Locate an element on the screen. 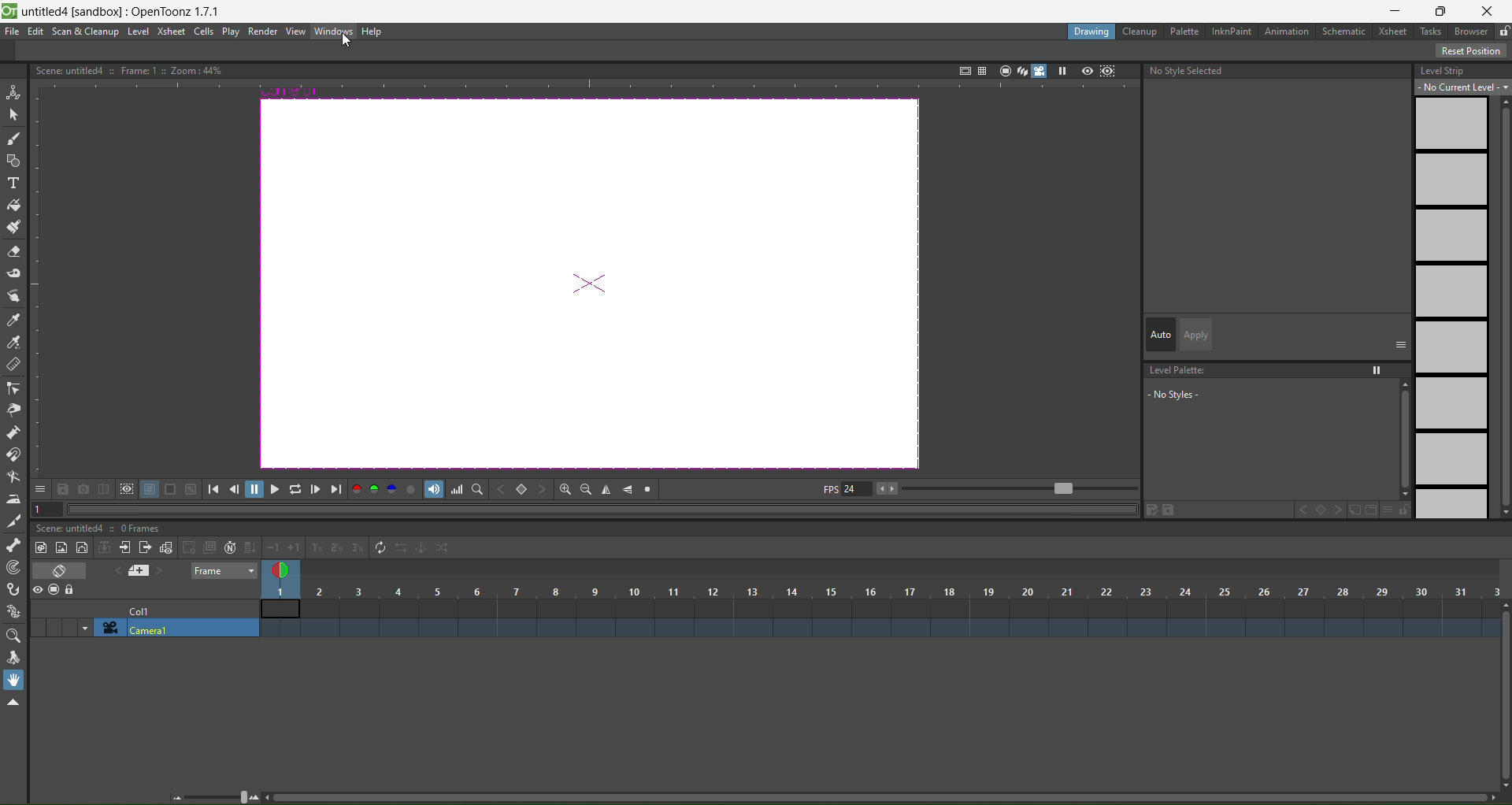 The image size is (1512, 805). bender tool is located at coordinates (14, 477).